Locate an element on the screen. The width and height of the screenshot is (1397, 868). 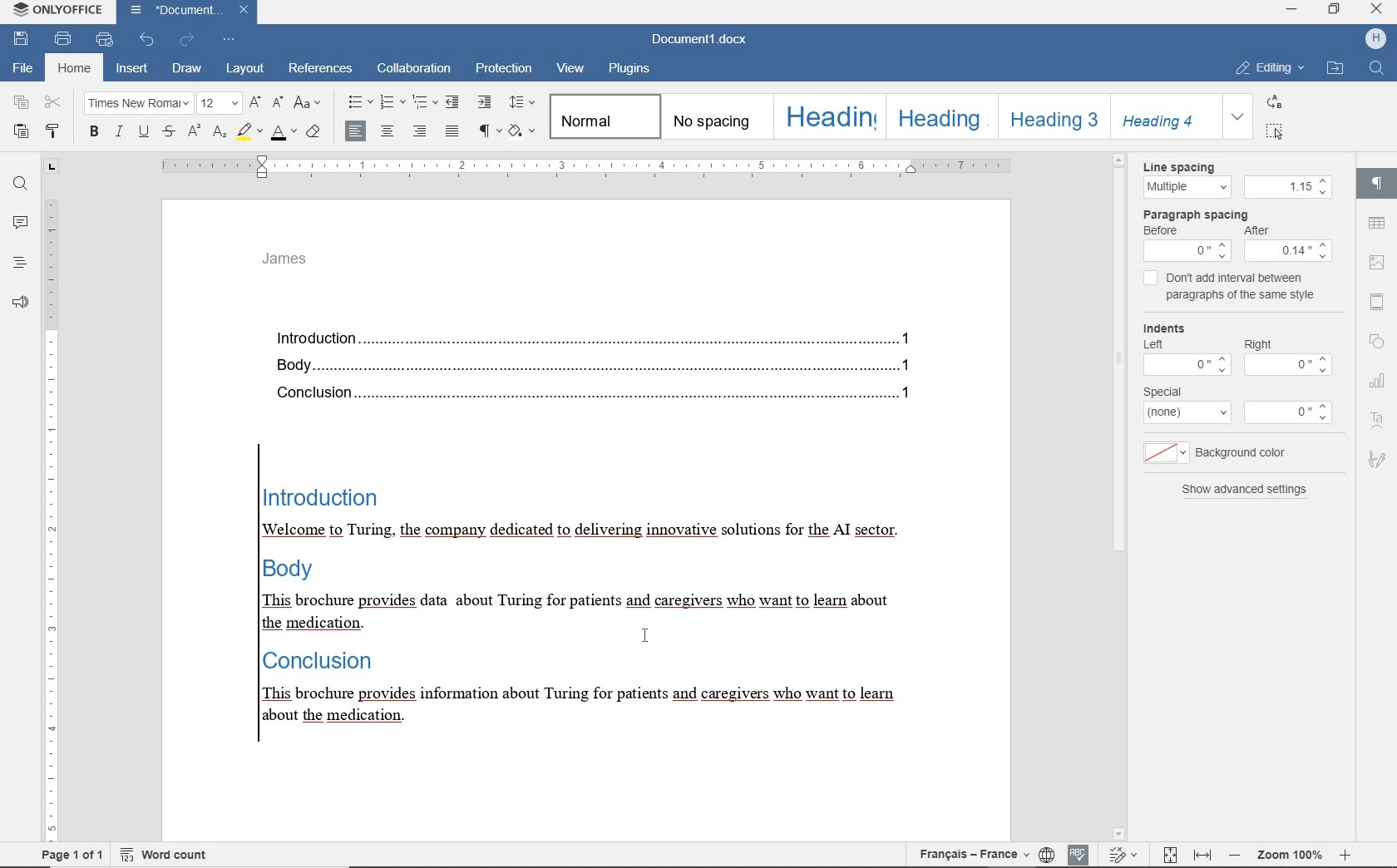
set document language is located at coordinates (1046, 856).